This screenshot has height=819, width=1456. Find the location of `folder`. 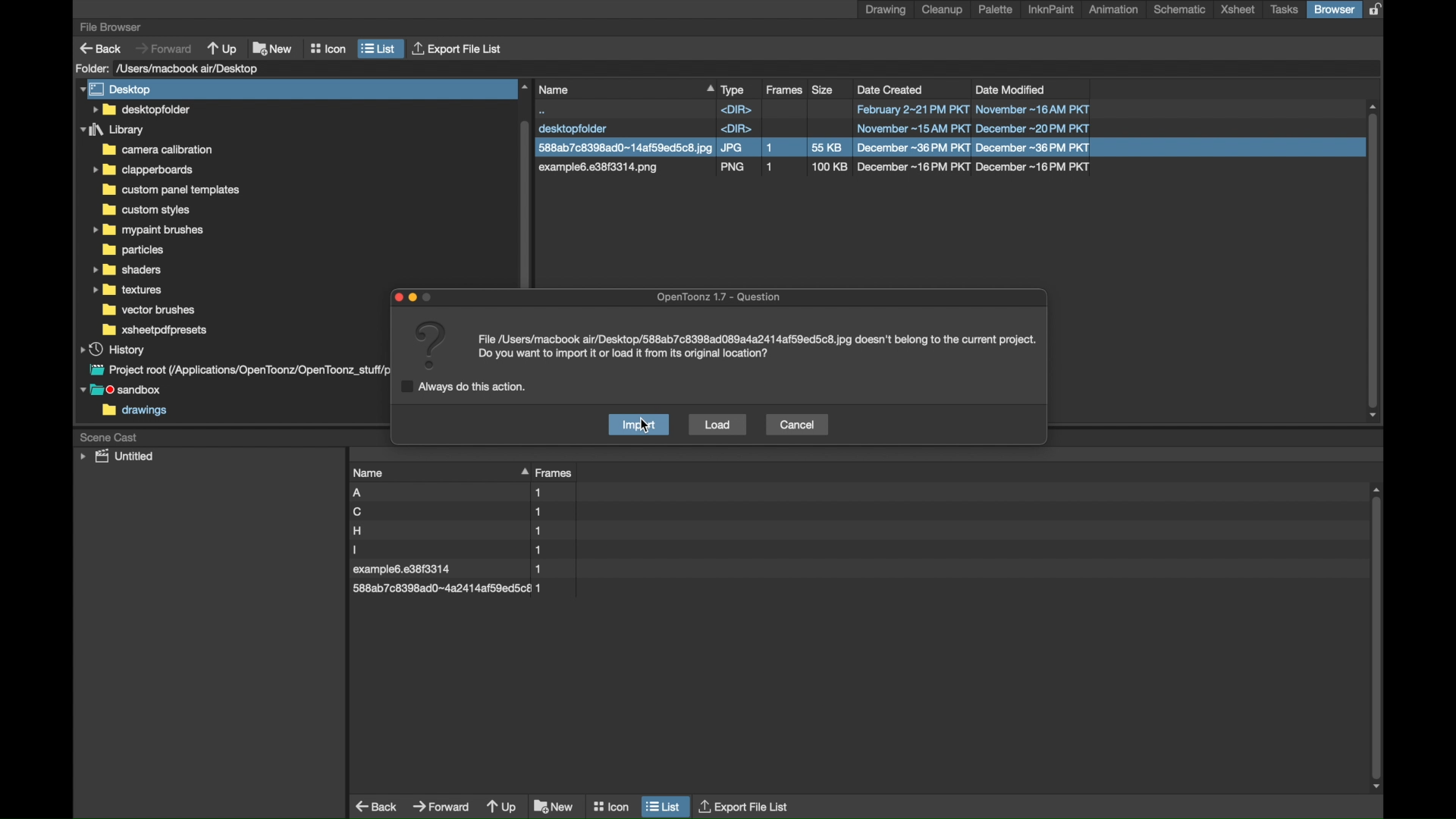

folder is located at coordinates (127, 269).